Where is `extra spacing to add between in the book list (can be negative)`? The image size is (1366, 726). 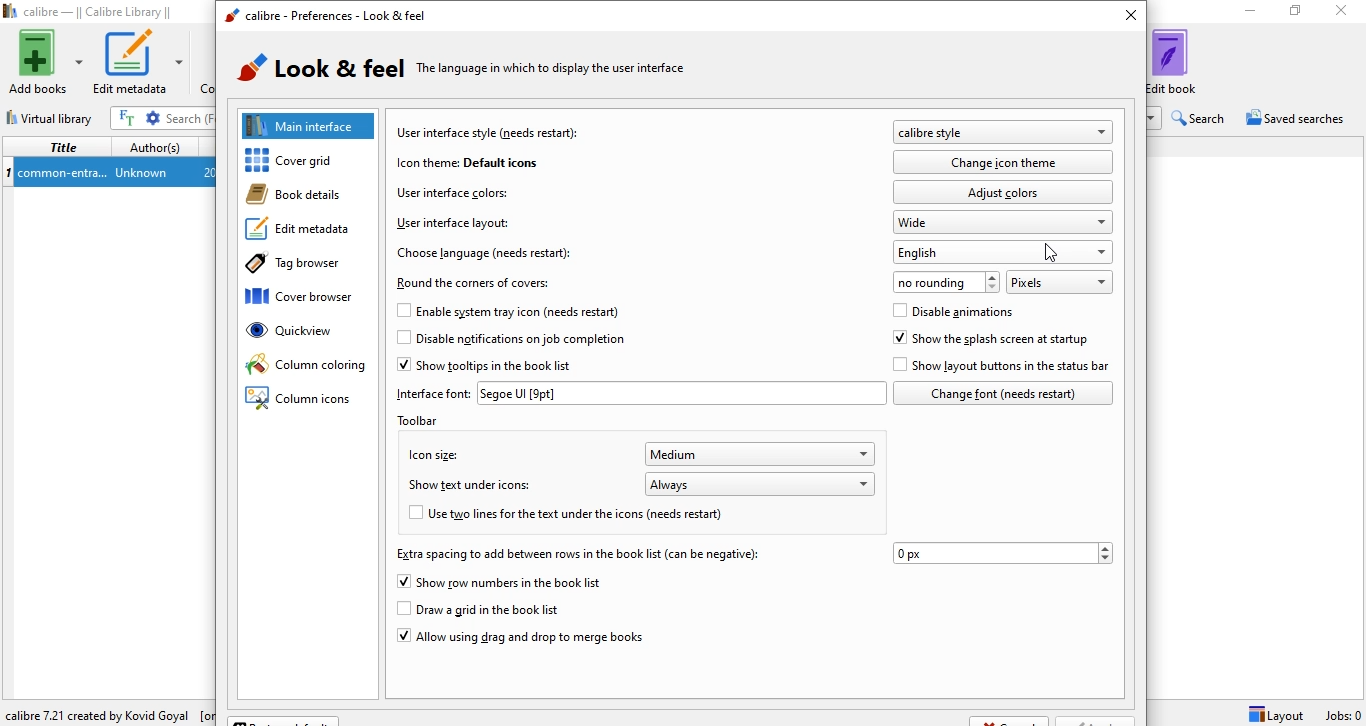
extra spacing to add between in the book list (can be negative) is located at coordinates (575, 554).